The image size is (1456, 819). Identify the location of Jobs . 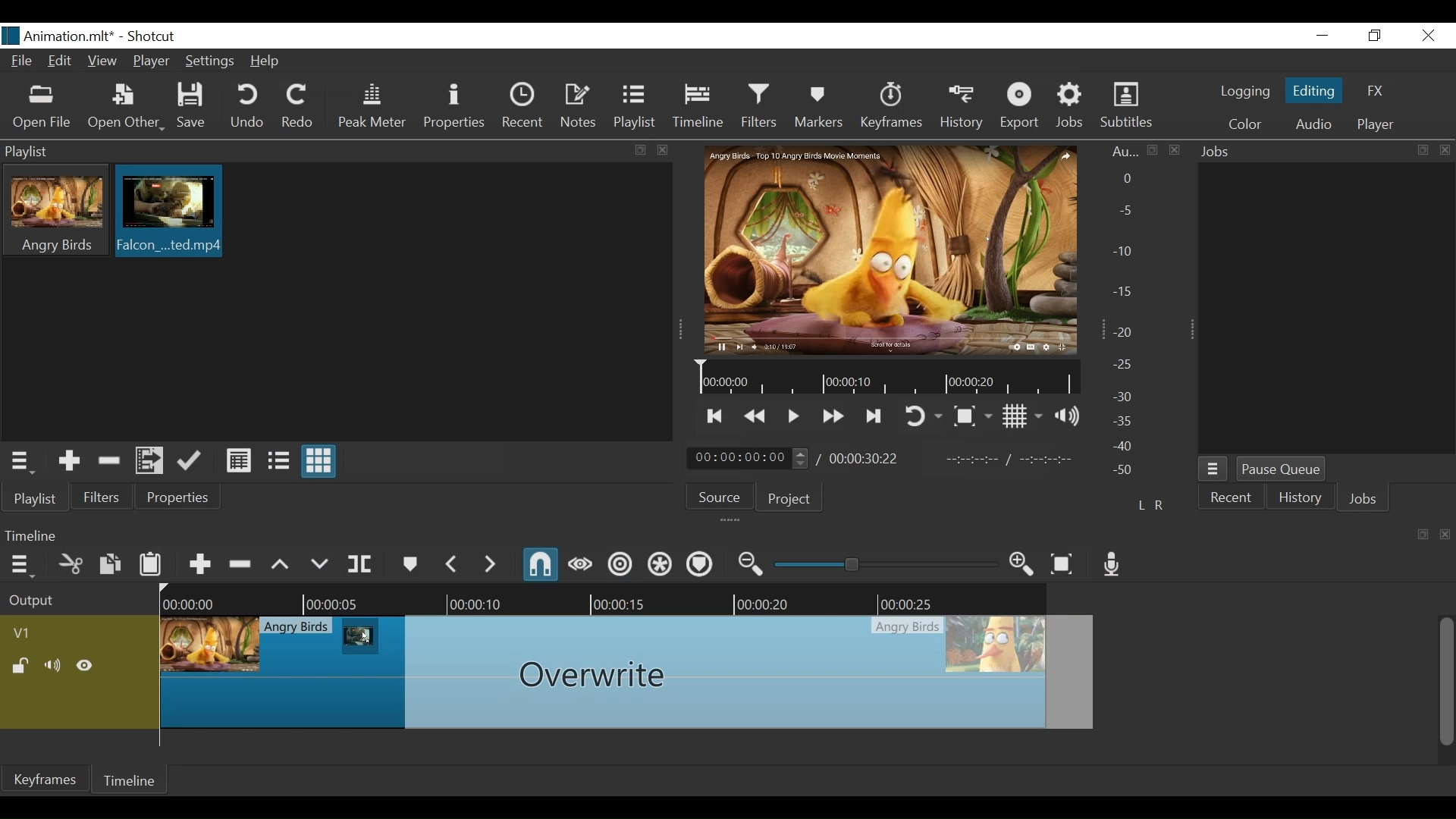
(1363, 497).